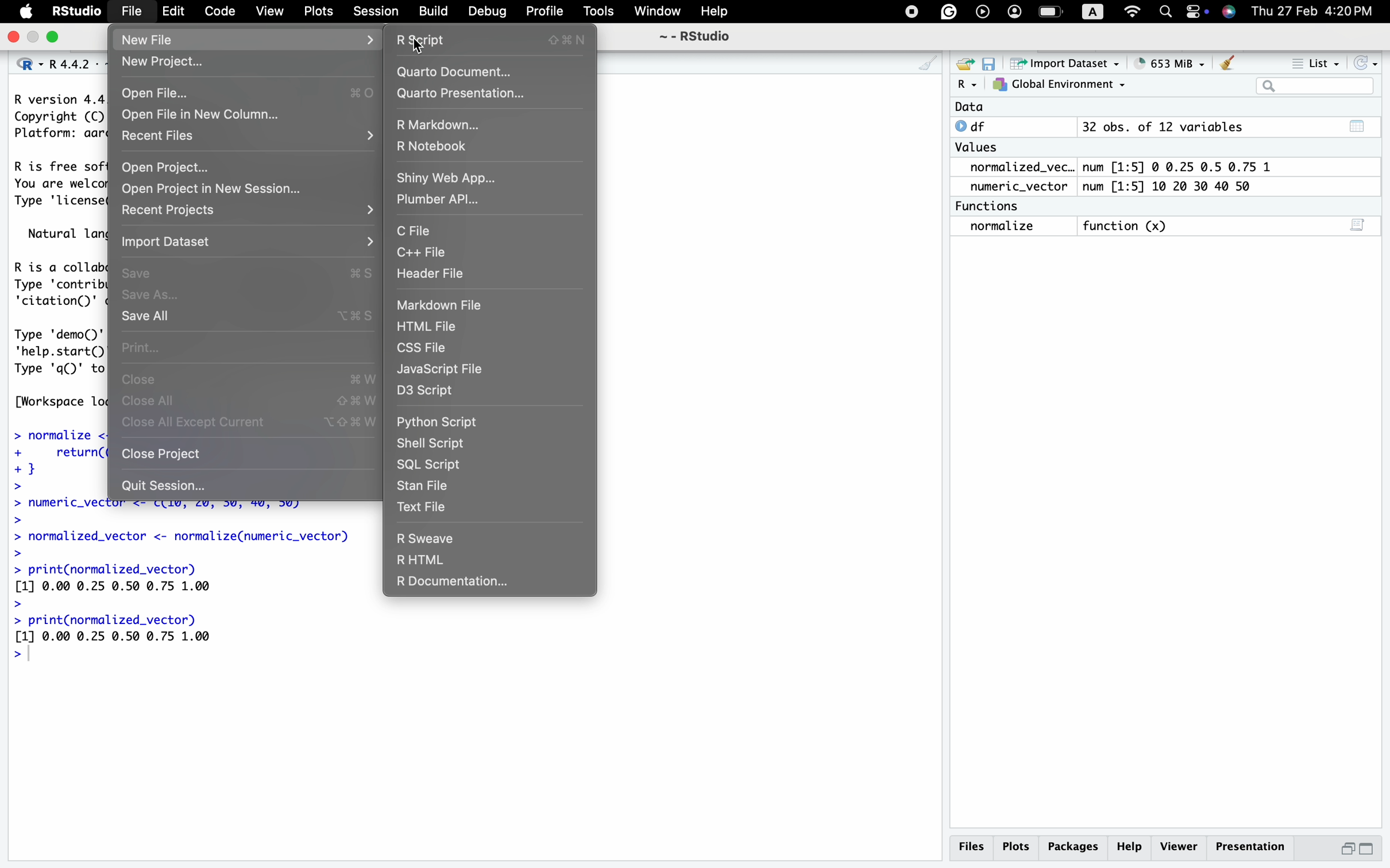 Image resolution: width=1390 pixels, height=868 pixels. Describe the element at coordinates (488, 39) in the screenshot. I see `R Script` at that location.